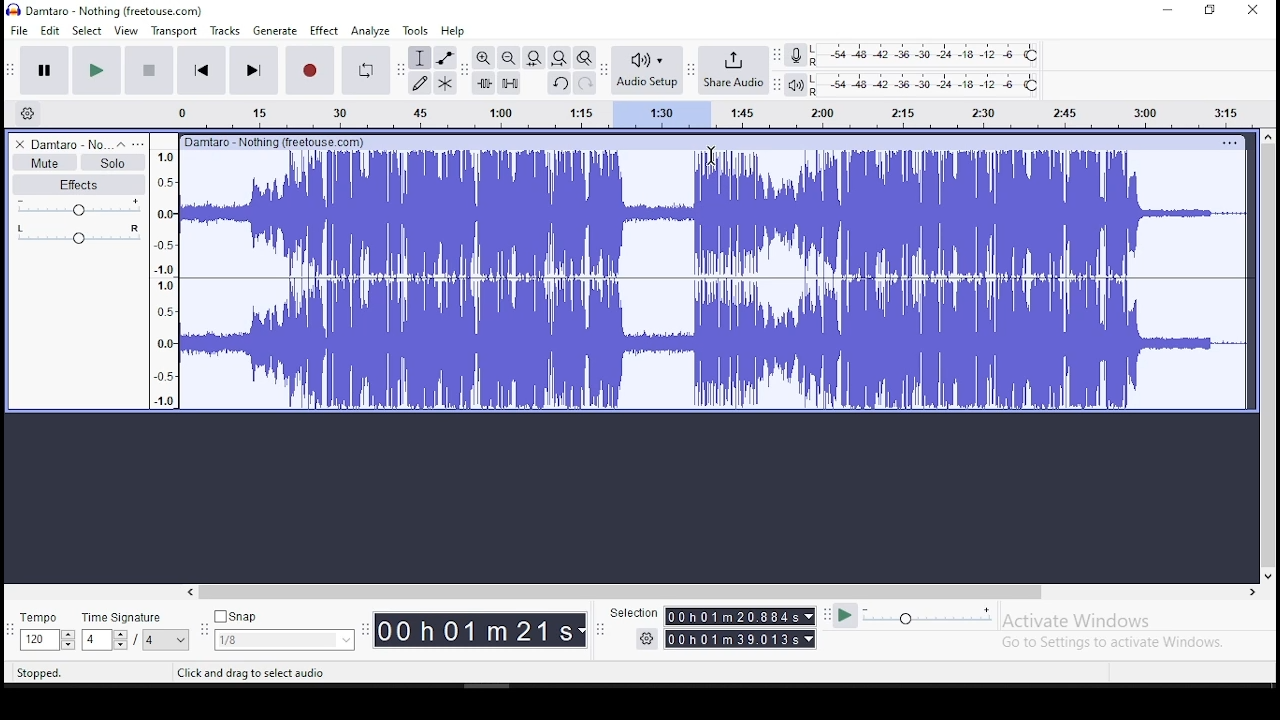 The image size is (1280, 720). I want to click on trim audio outside selection, so click(485, 83).